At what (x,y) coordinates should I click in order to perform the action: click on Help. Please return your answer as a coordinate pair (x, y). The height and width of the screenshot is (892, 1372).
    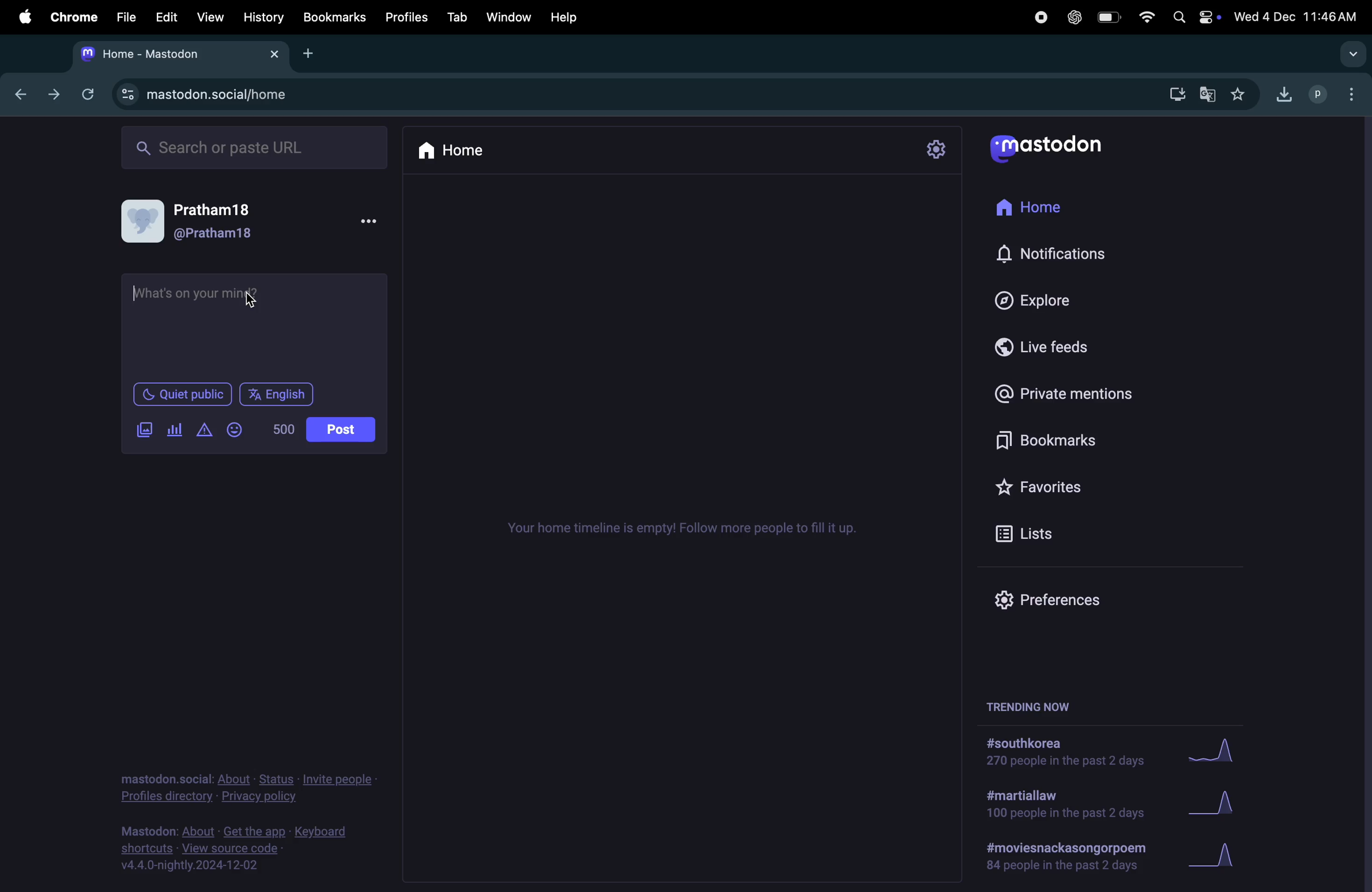
    Looking at the image, I should click on (568, 17).